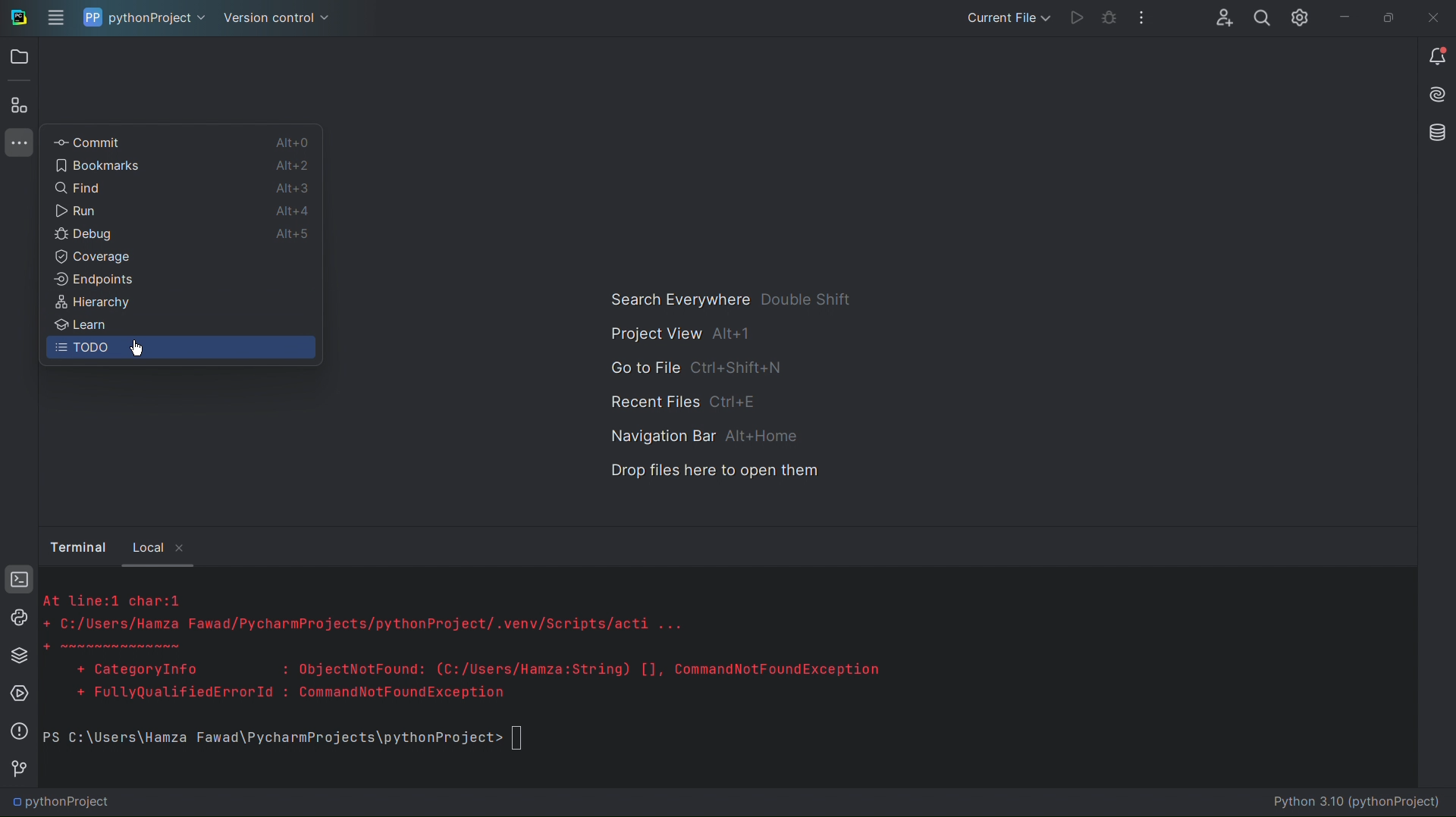  Describe the element at coordinates (1435, 134) in the screenshot. I see `Databases` at that location.